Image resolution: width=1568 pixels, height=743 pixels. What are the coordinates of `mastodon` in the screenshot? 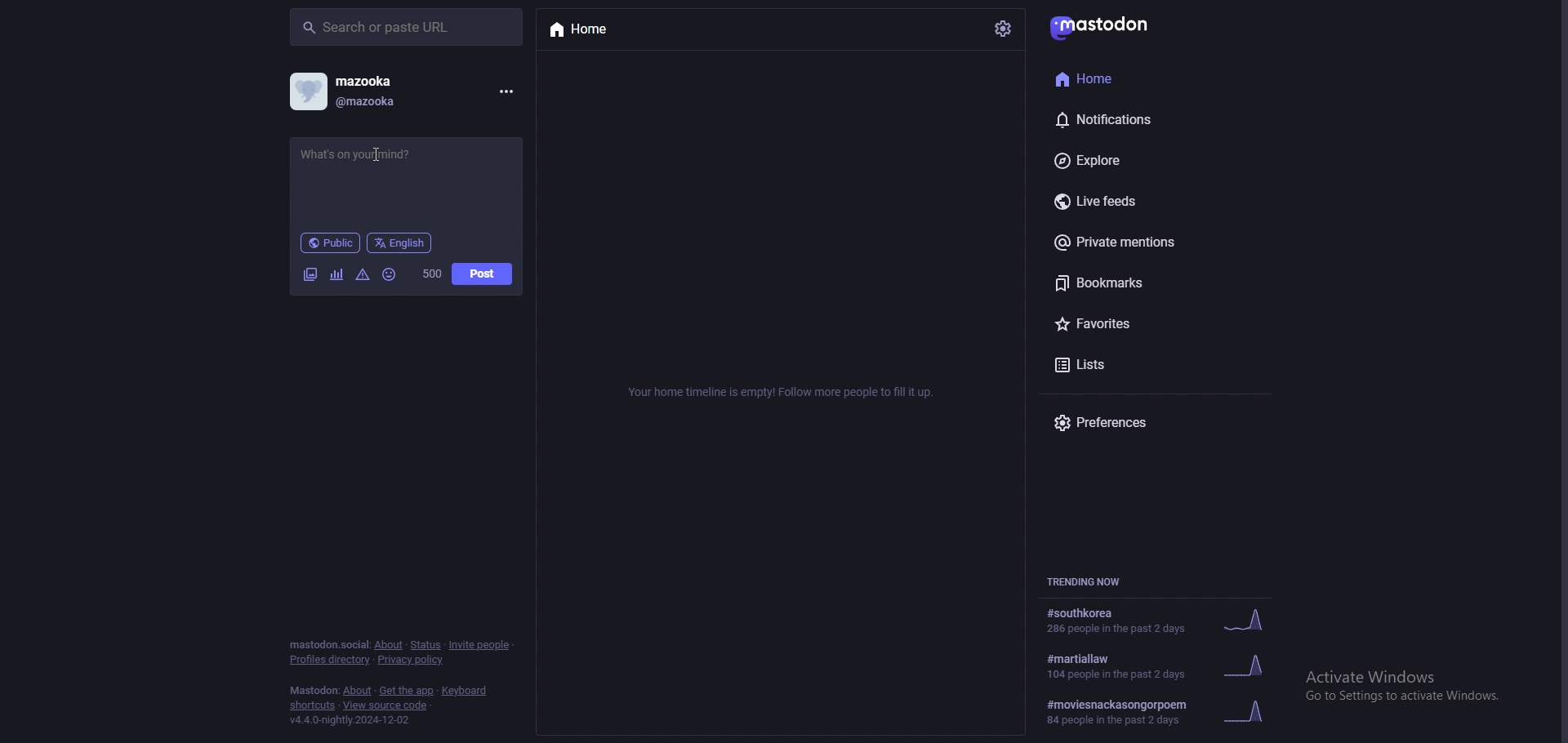 It's located at (312, 691).